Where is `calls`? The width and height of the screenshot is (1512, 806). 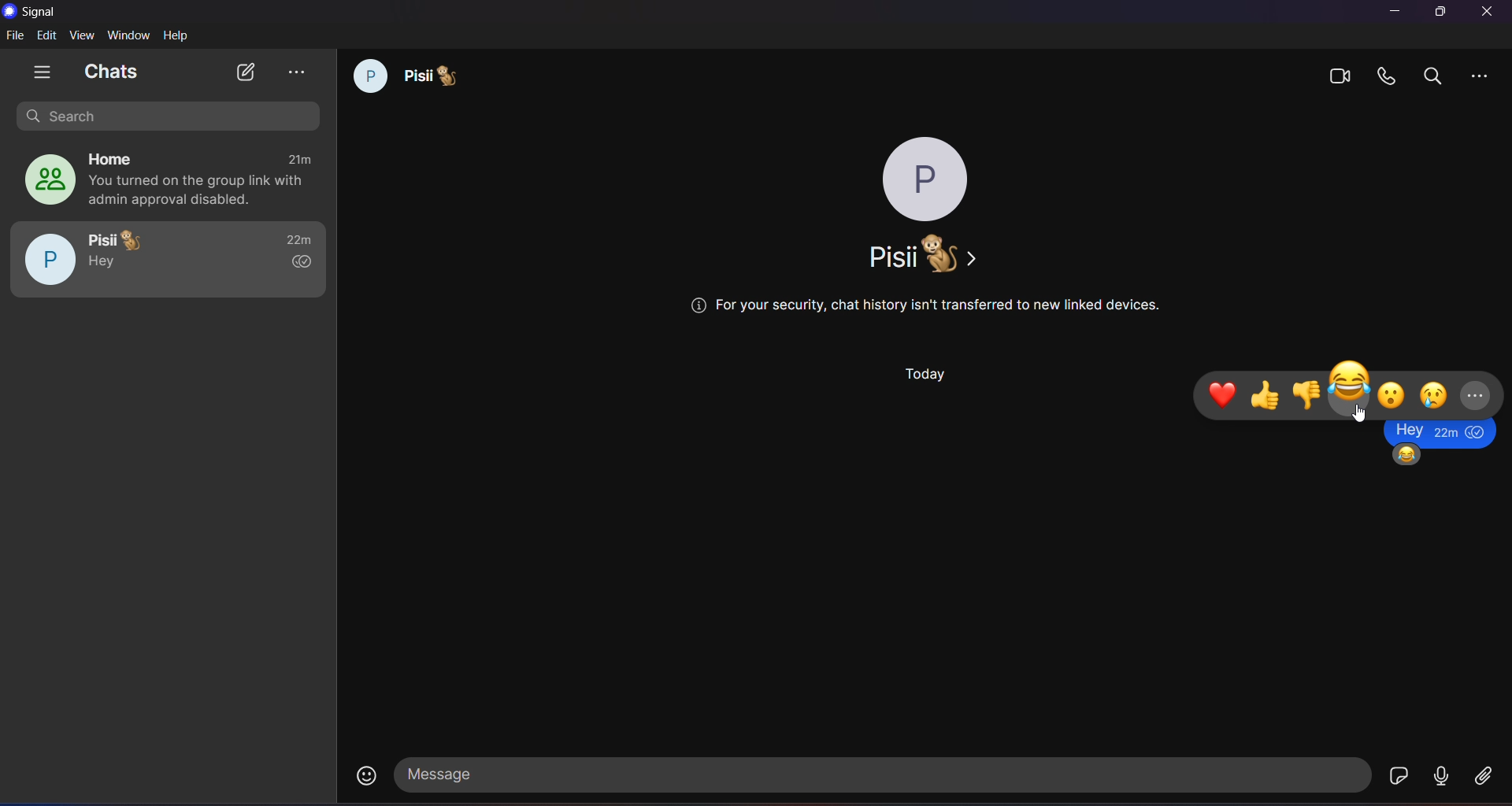
calls is located at coordinates (1388, 76).